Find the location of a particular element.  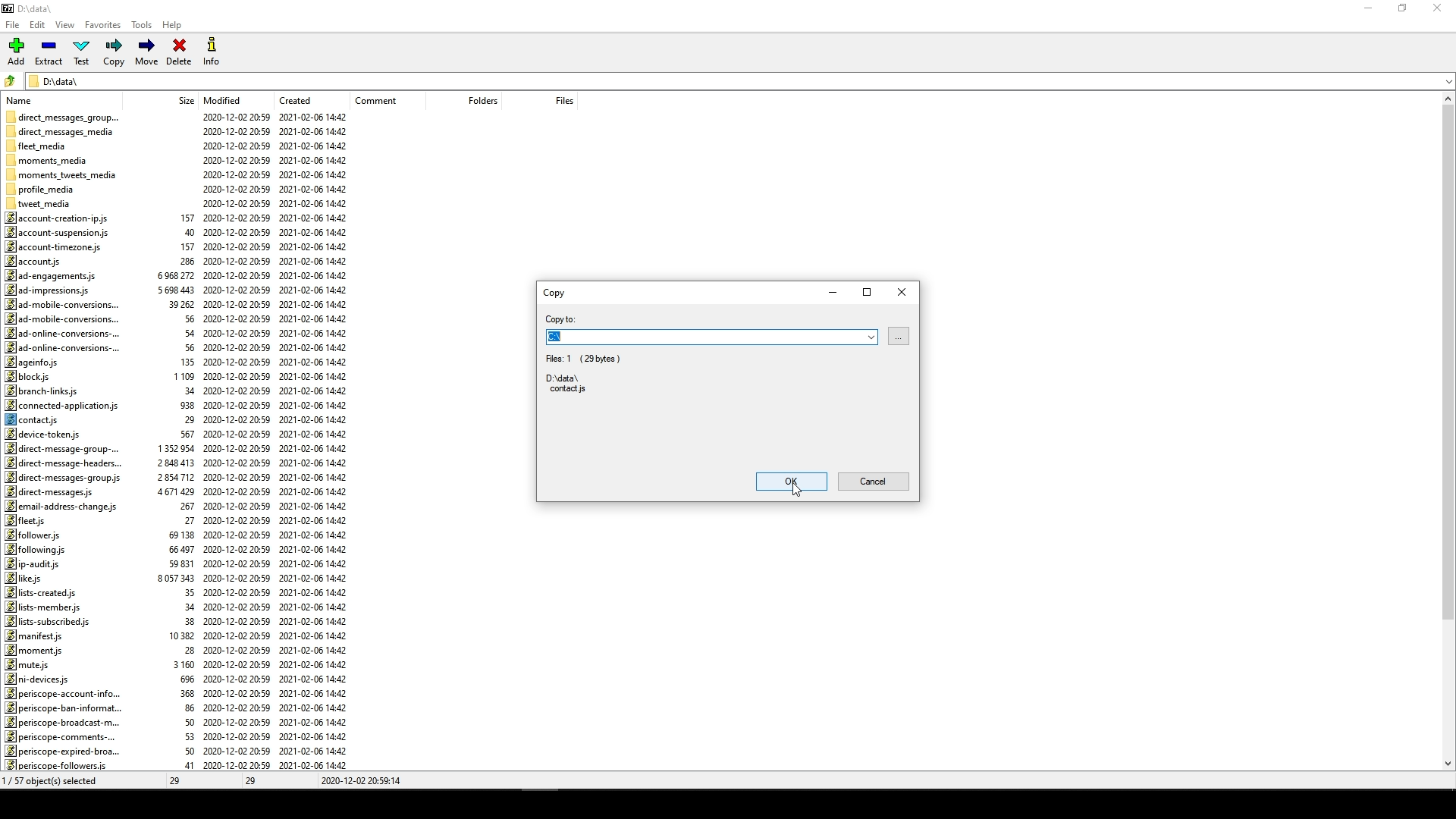

Favorites is located at coordinates (103, 27).